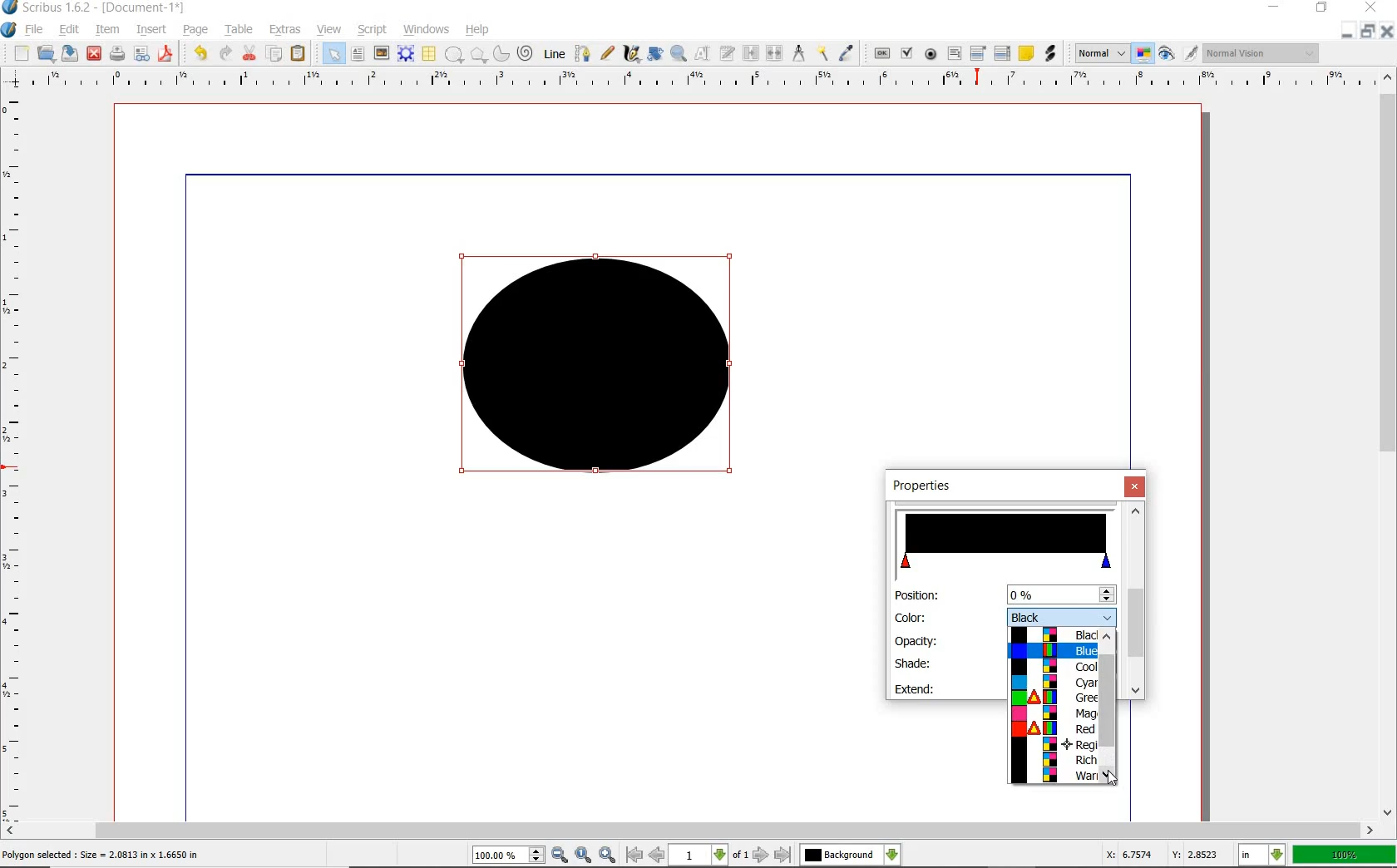  I want to click on previous, so click(658, 855).